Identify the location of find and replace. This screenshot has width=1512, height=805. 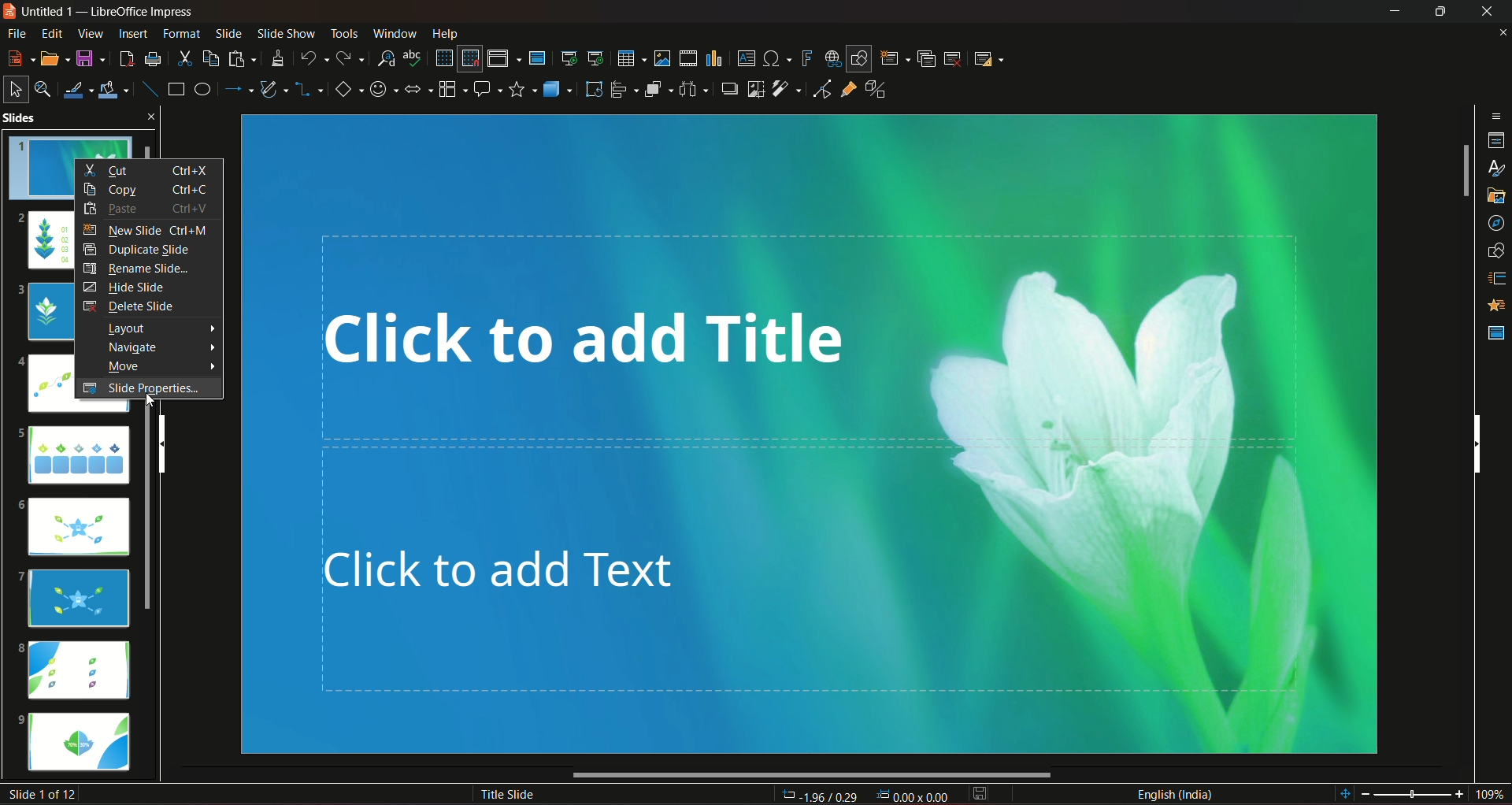
(386, 57).